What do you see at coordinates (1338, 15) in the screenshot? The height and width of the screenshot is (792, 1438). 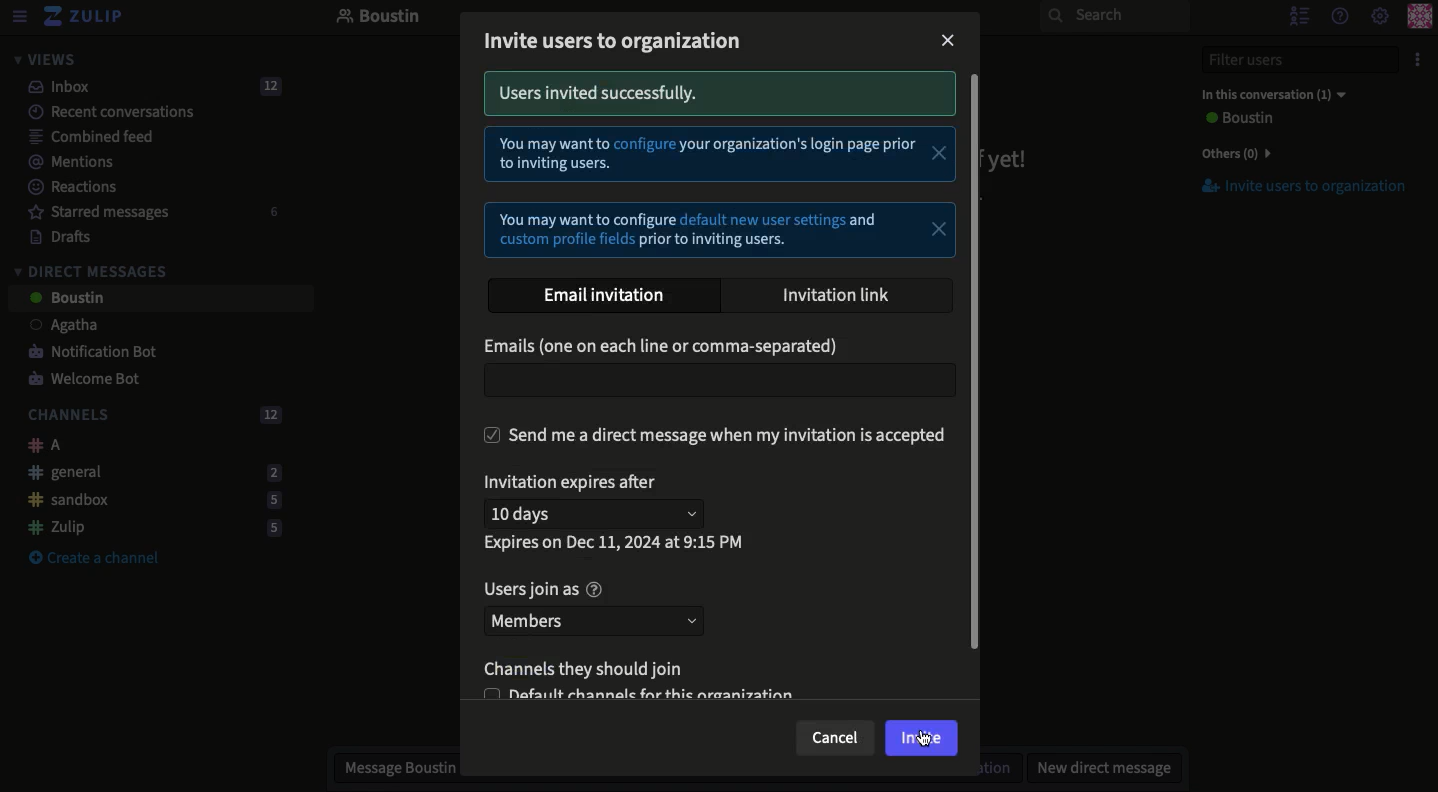 I see `Help` at bounding box center [1338, 15].